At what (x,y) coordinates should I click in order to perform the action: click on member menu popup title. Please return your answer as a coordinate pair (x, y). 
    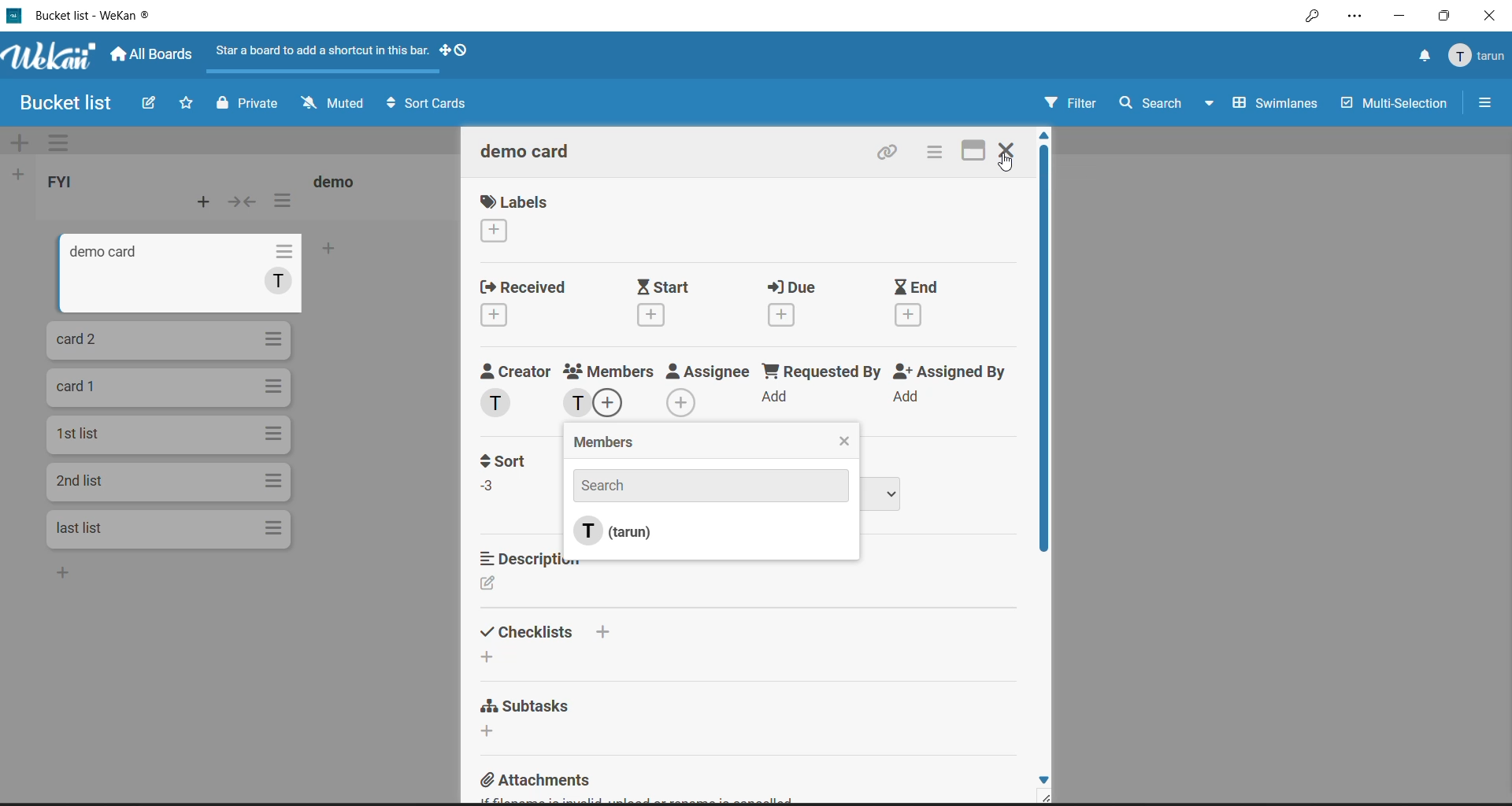
    Looking at the image, I should click on (1477, 56).